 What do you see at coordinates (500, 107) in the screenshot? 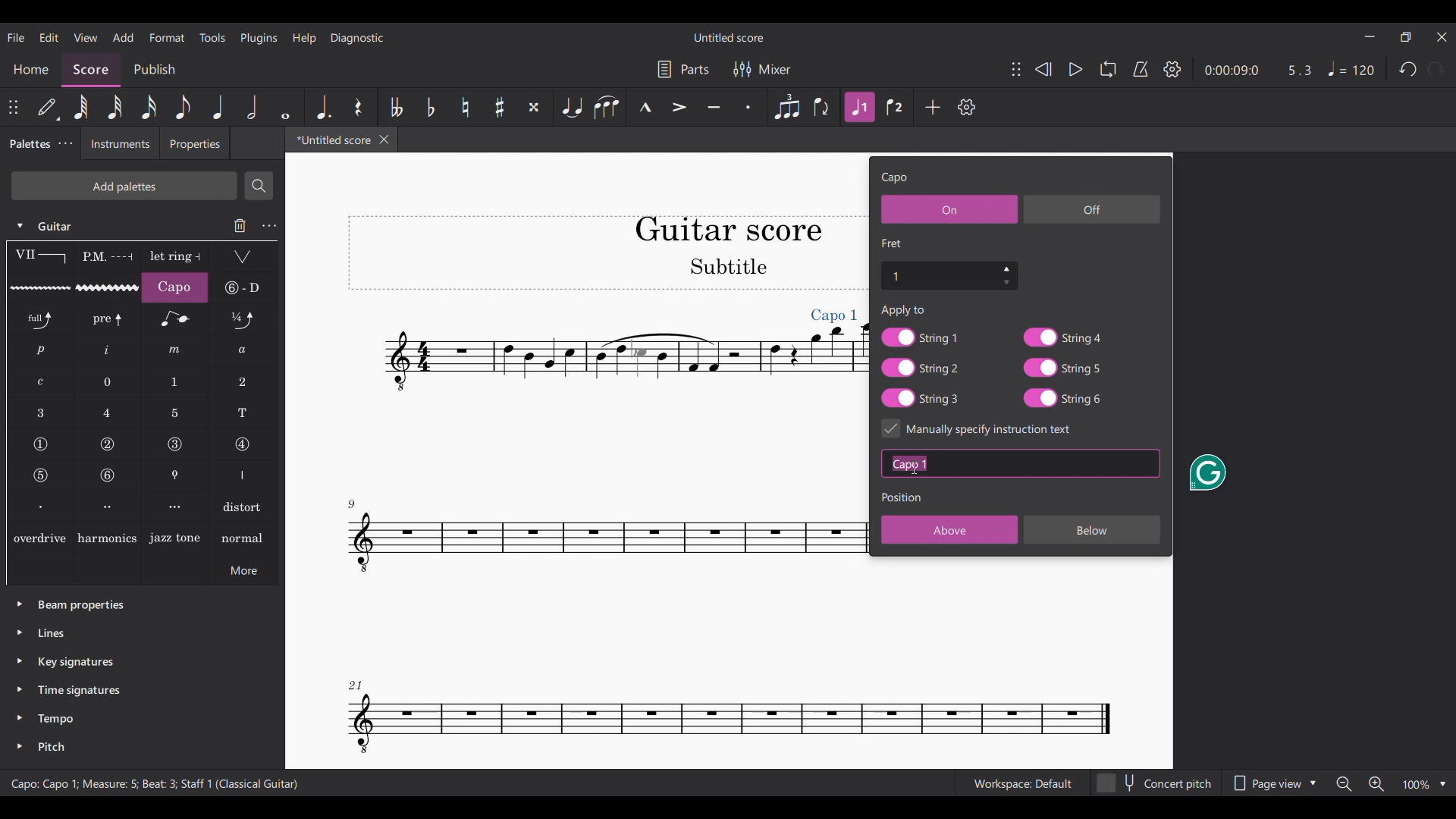
I see `Toggle sharp` at bounding box center [500, 107].